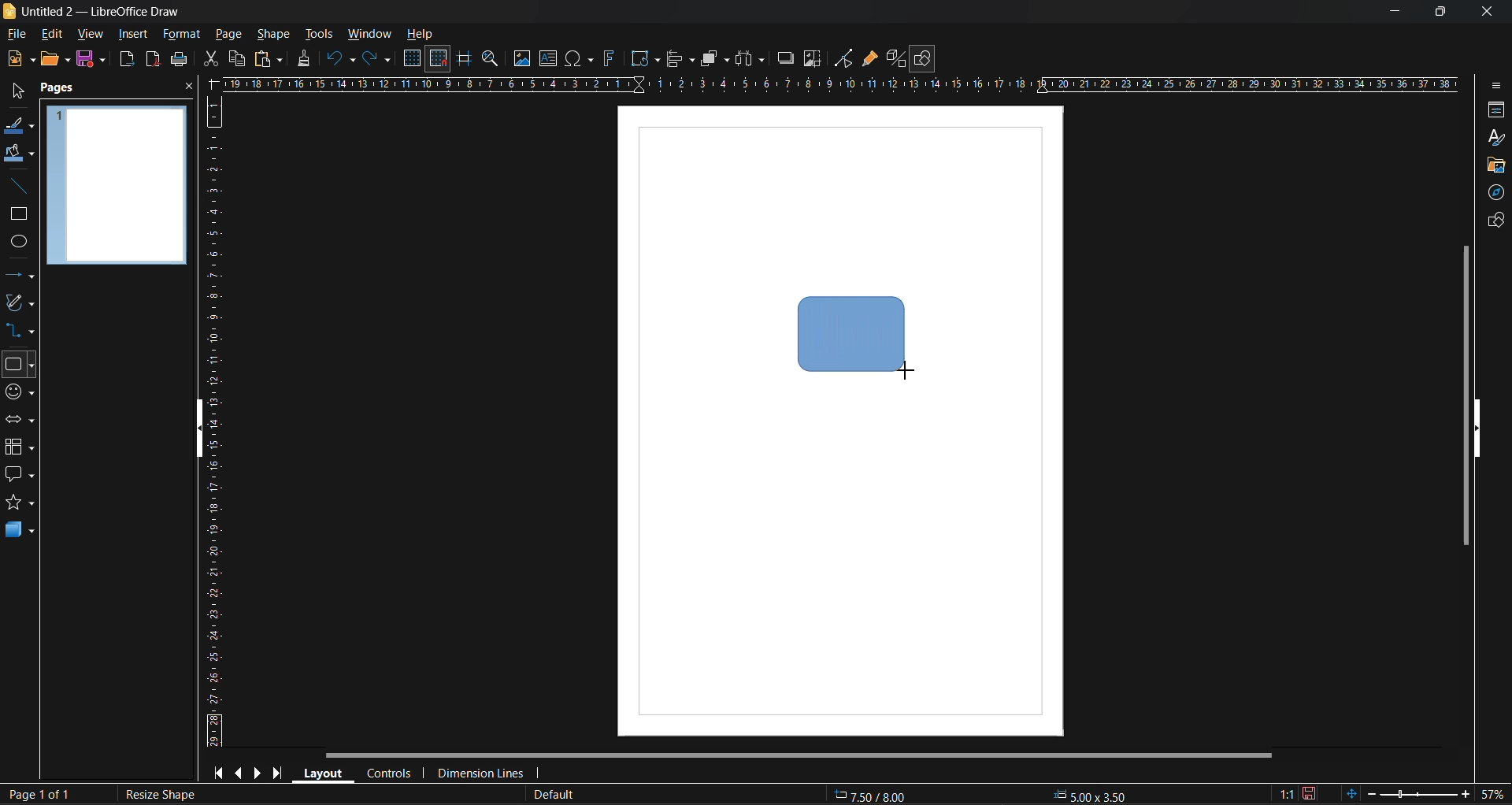 This screenshot has width=1512, height=805. What do you see at coordinates (20, 153) in the screenshot?
I see `fill color` at bounding box center [20, 153].